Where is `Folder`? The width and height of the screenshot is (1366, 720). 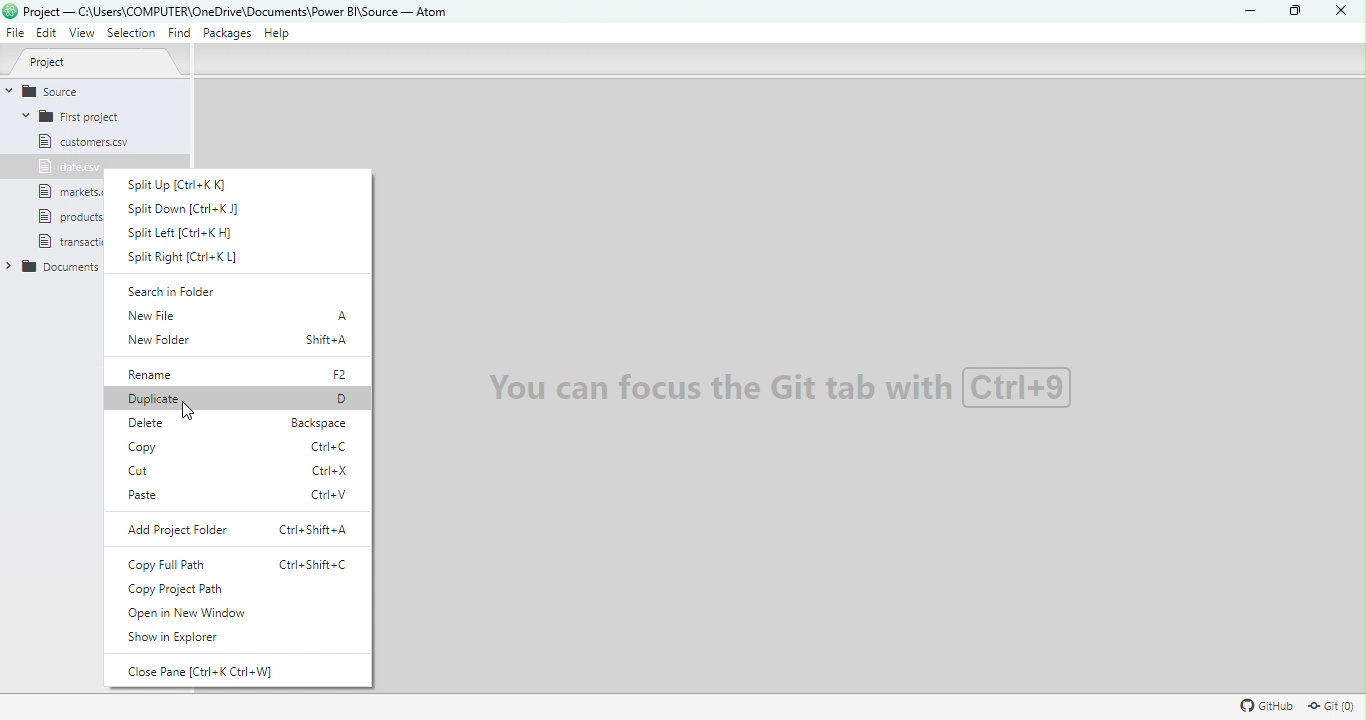
Folder is located at coordinates (79, 116).